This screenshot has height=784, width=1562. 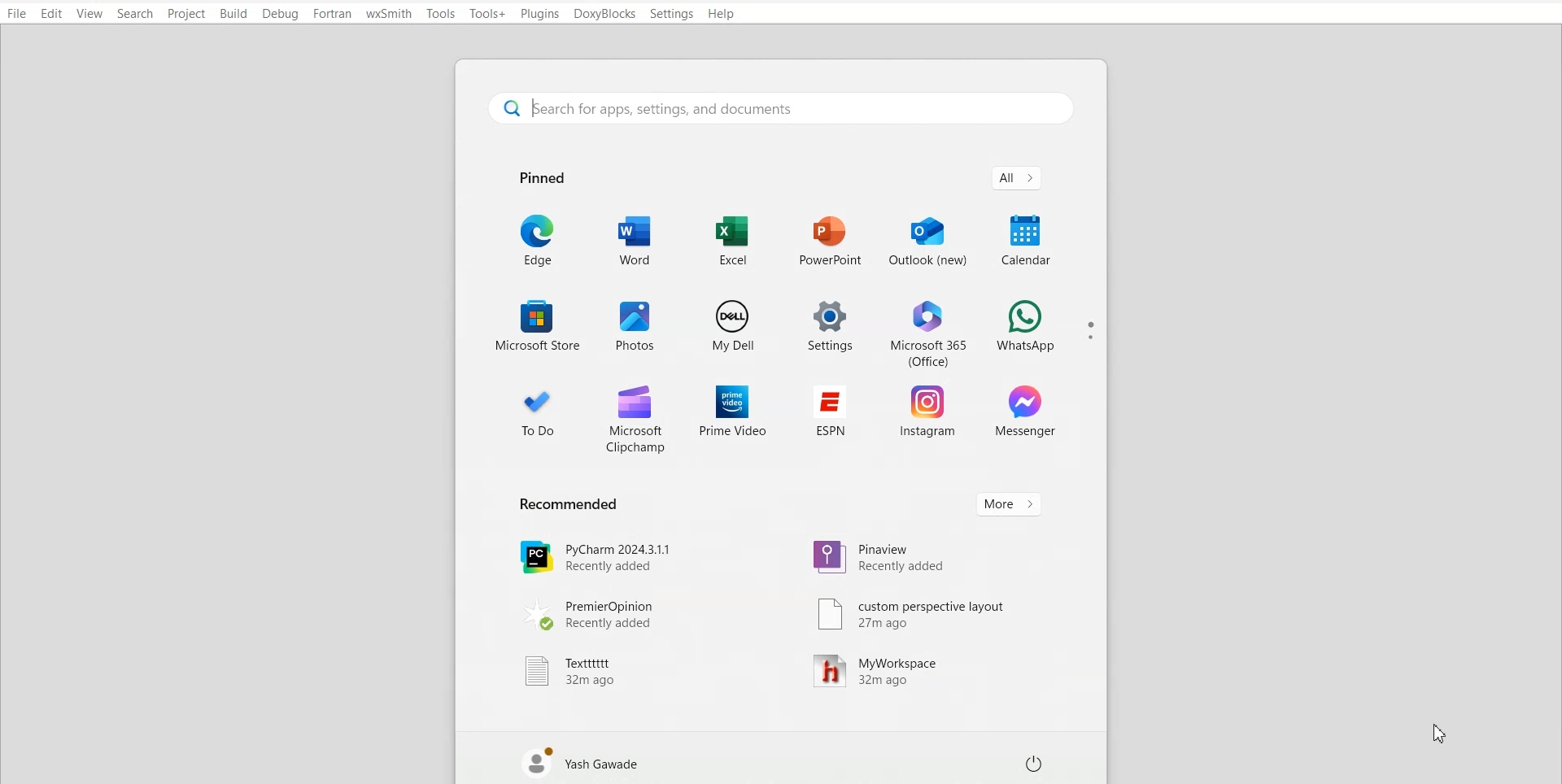 I want to click on Shut button, so click(x=1034, y=763).